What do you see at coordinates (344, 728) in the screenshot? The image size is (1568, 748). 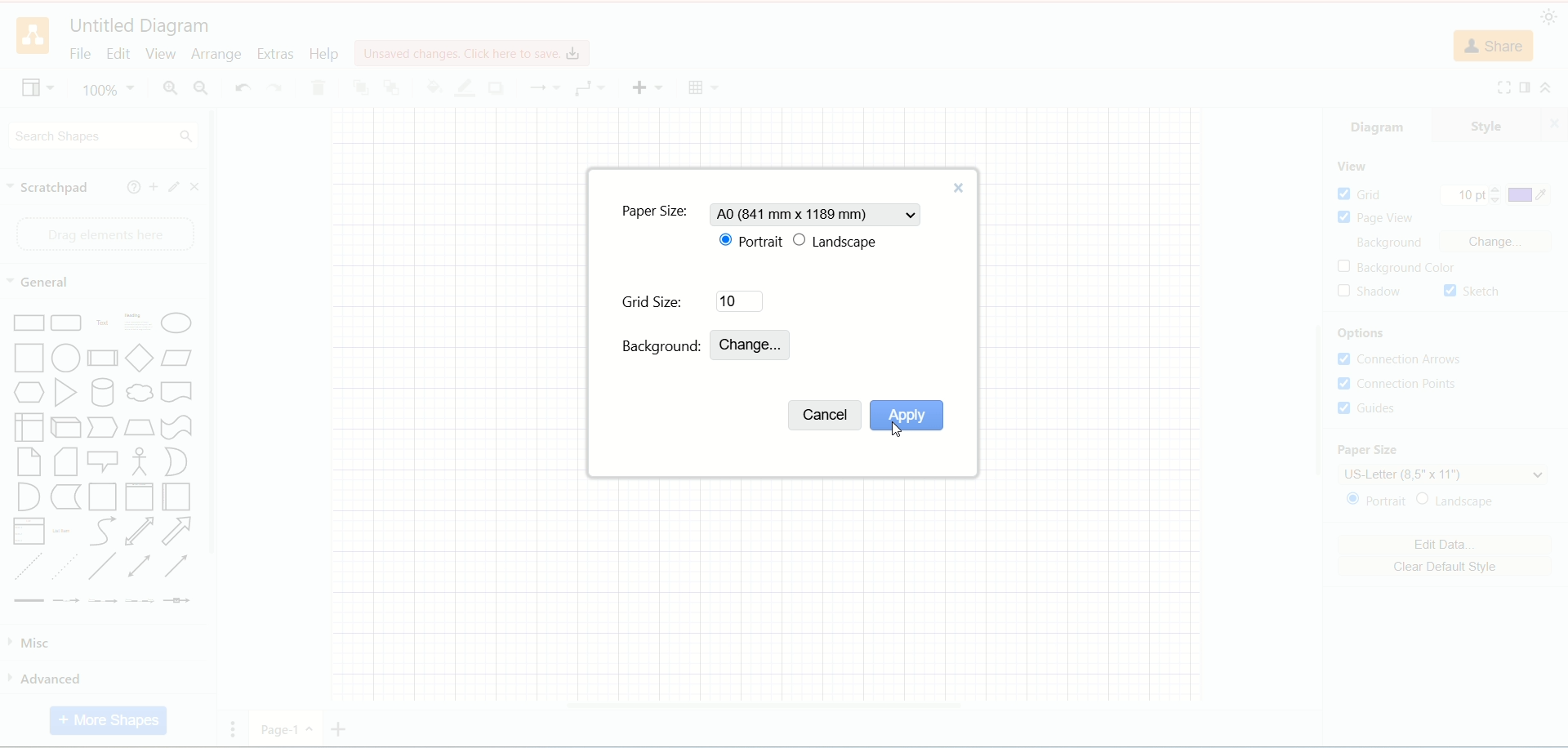 I see `add page` at bounding box center [344, 728].